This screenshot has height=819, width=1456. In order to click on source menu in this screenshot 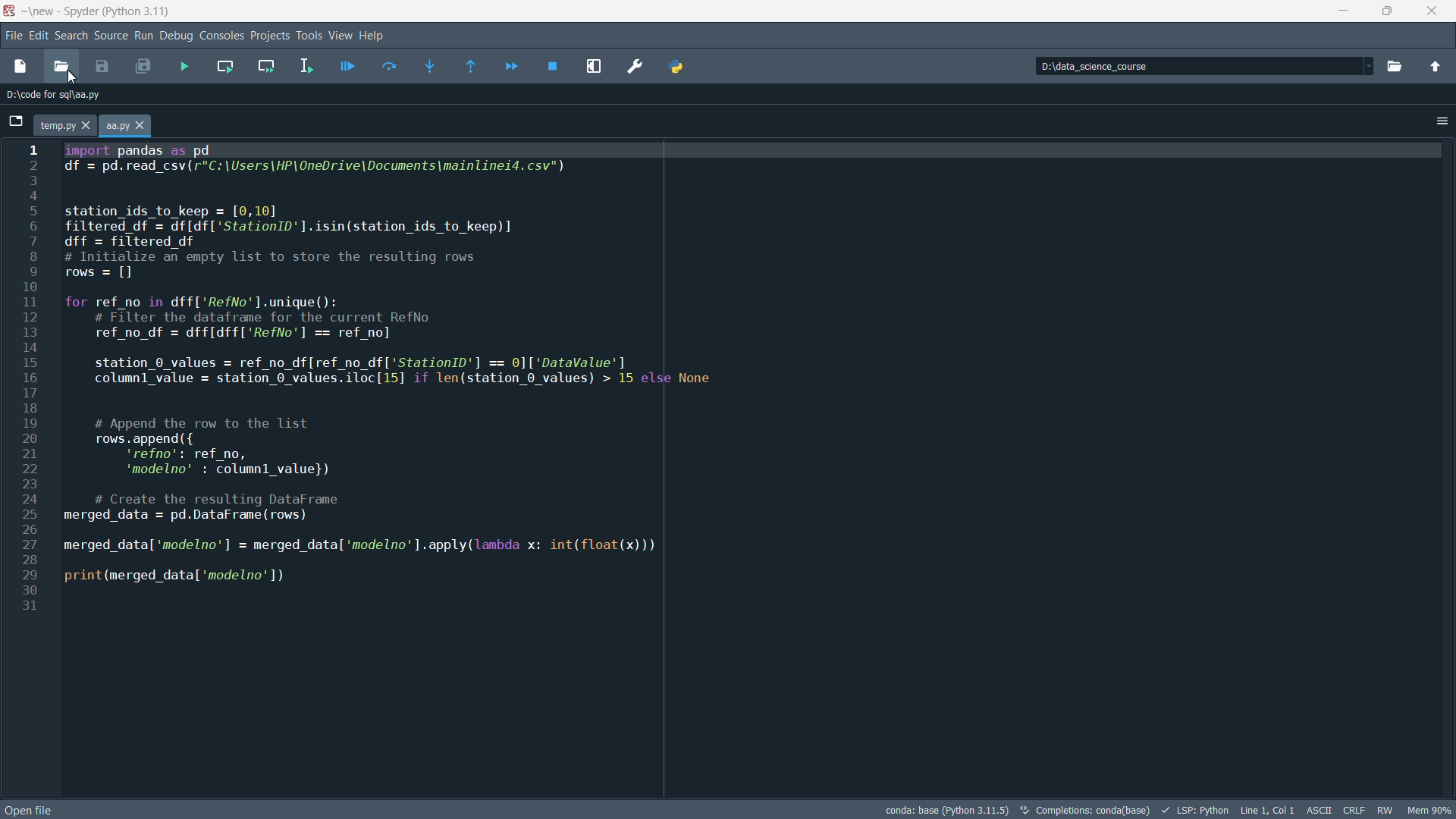, I will do `click(111, 35)`.